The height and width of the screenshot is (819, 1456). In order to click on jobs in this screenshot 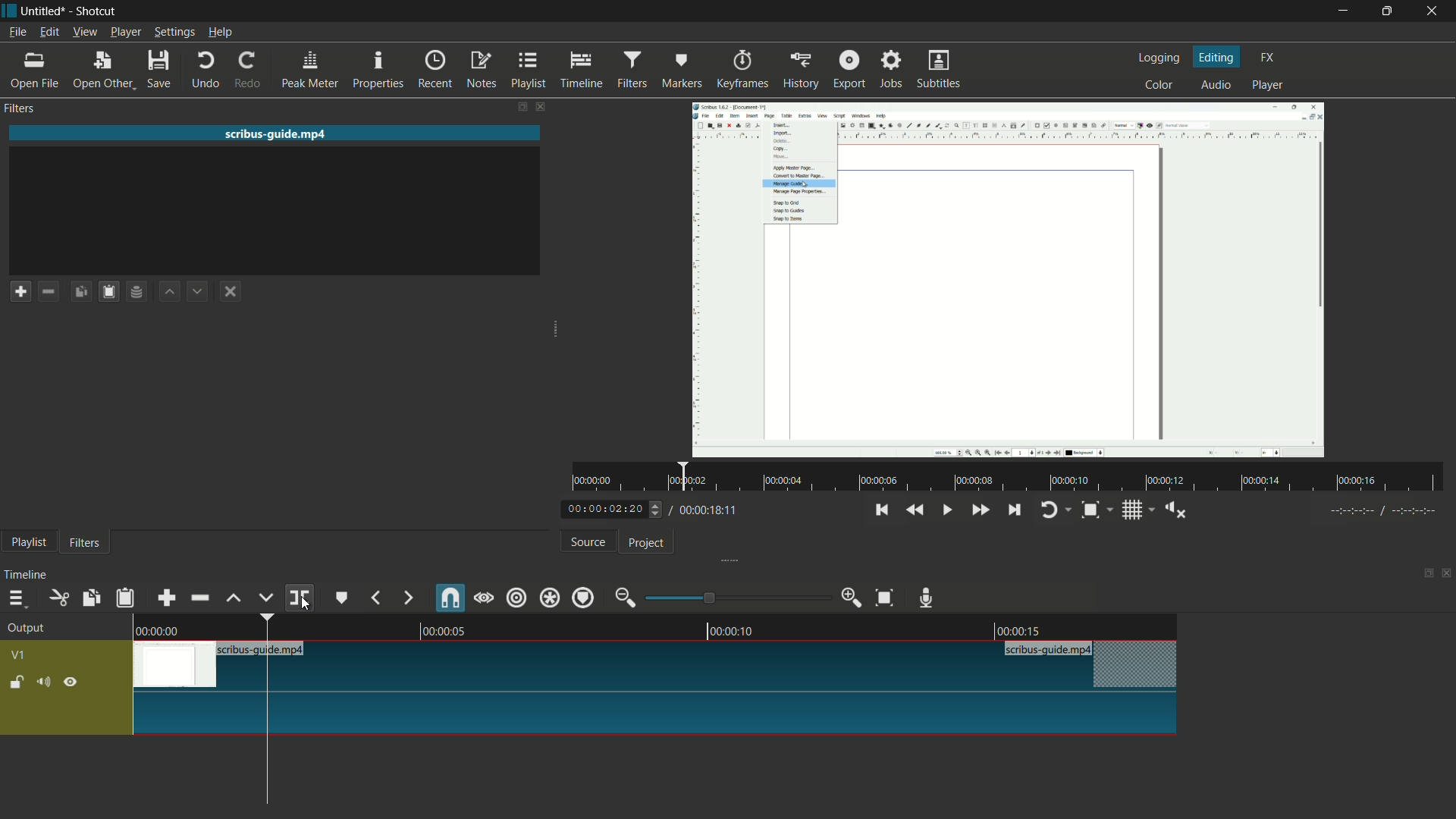, I will do `click(893, 68)`.